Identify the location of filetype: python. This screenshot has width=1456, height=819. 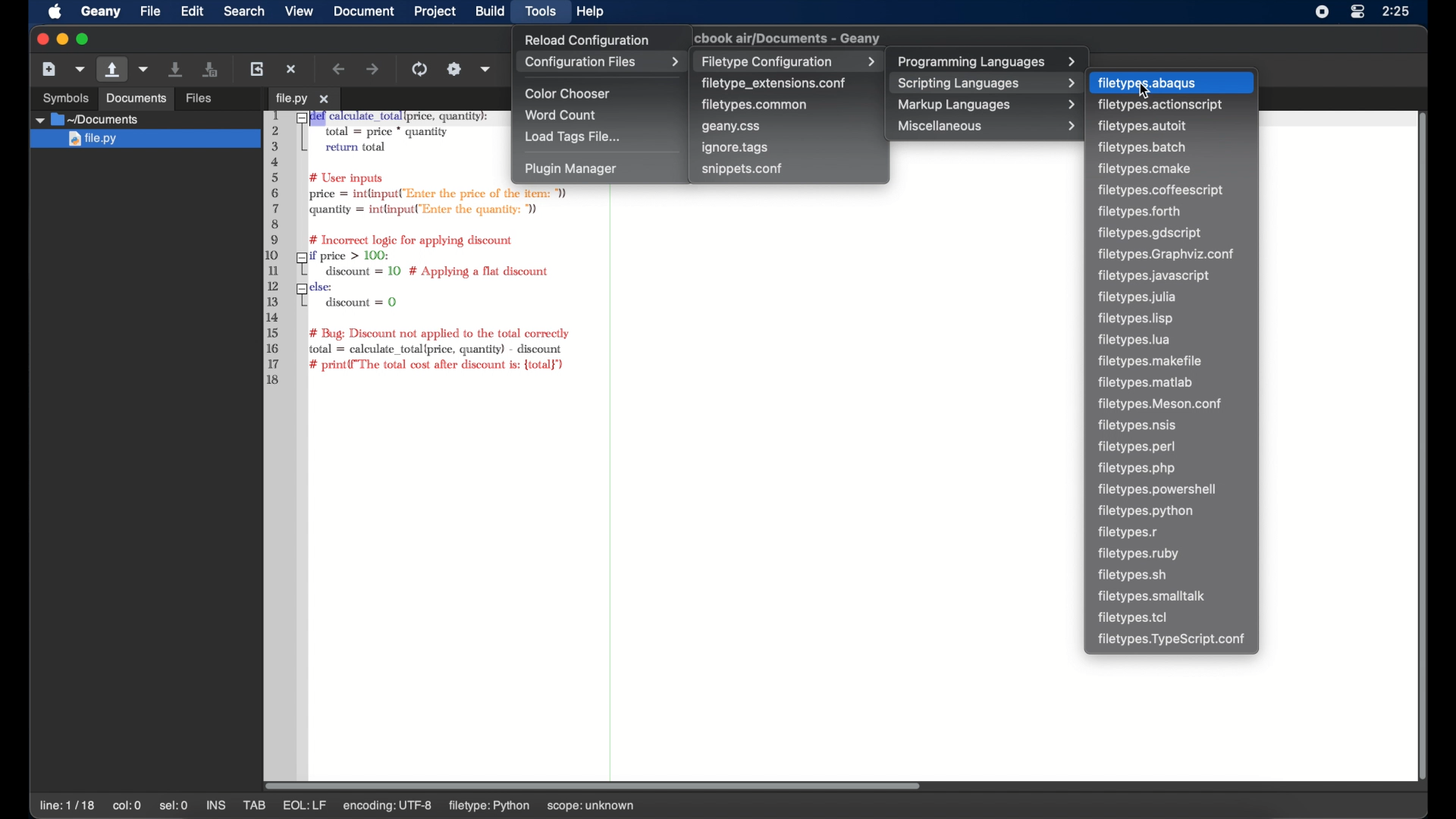
(532, 805).